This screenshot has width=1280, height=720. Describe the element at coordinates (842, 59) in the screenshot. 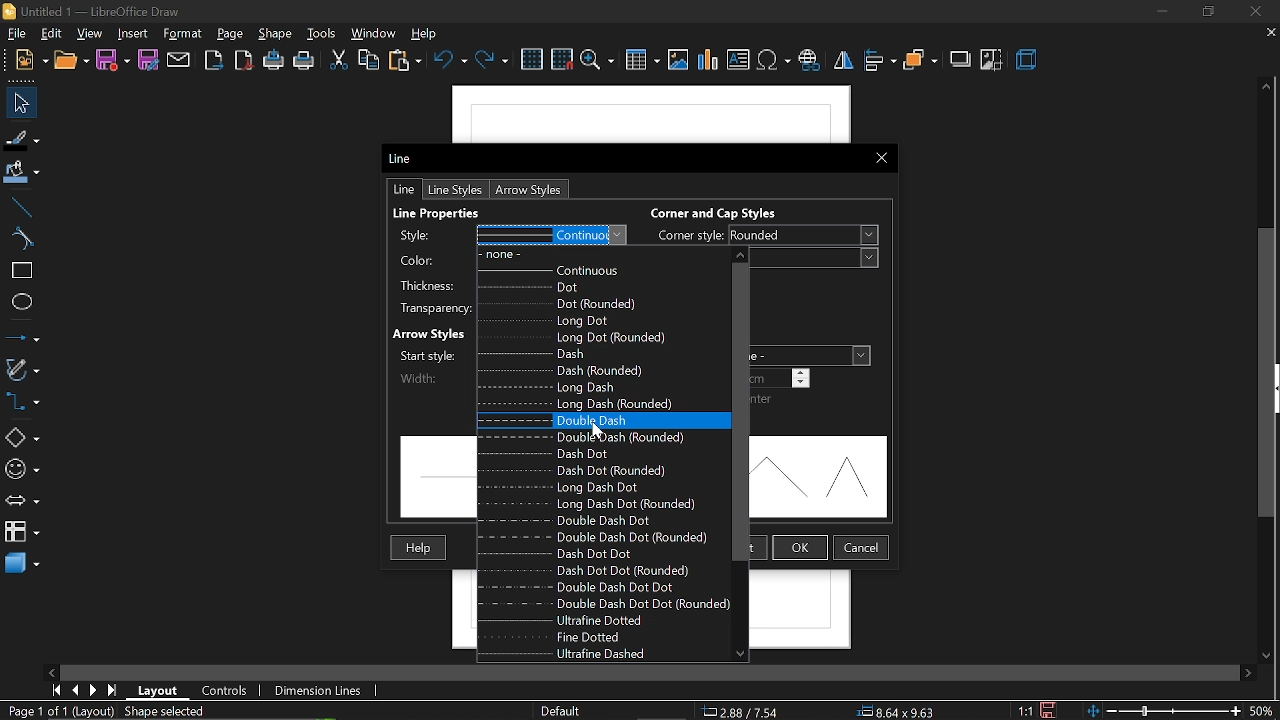

I see `flip` at that location.